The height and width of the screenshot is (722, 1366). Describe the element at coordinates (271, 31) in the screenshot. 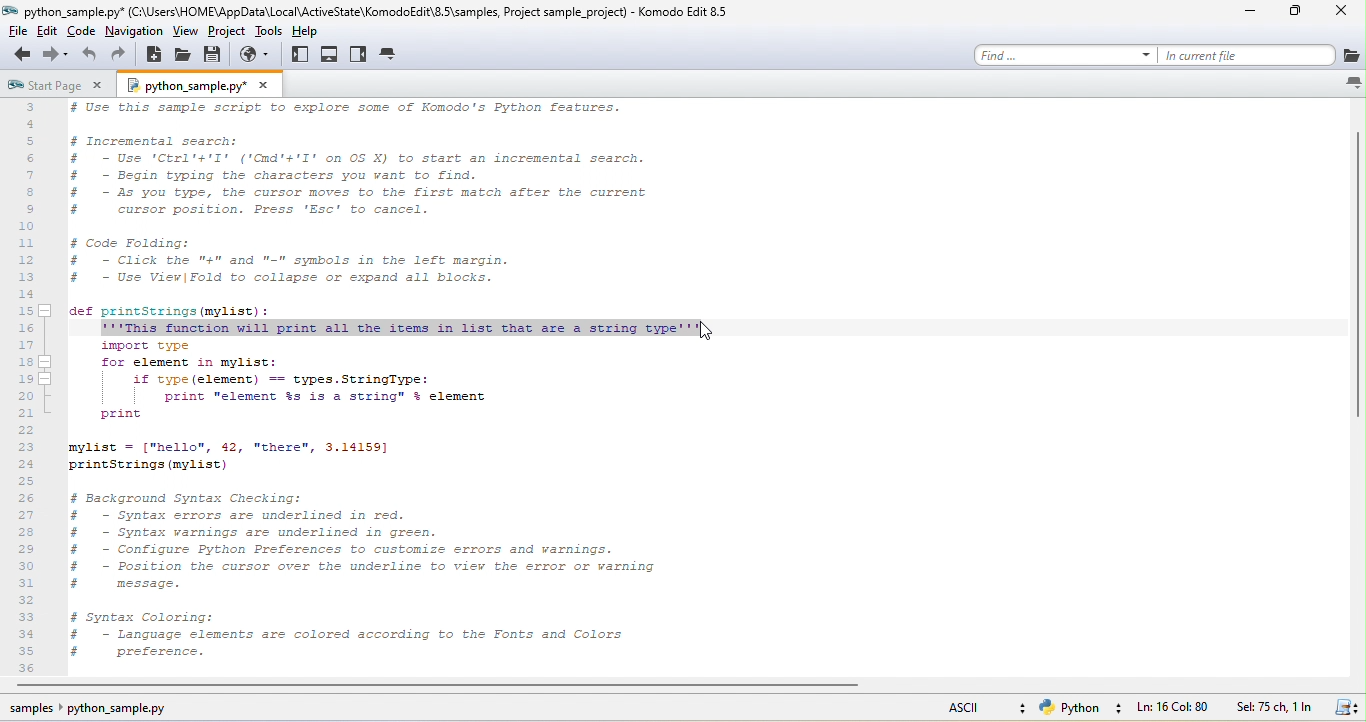

I see `tools` at that location.